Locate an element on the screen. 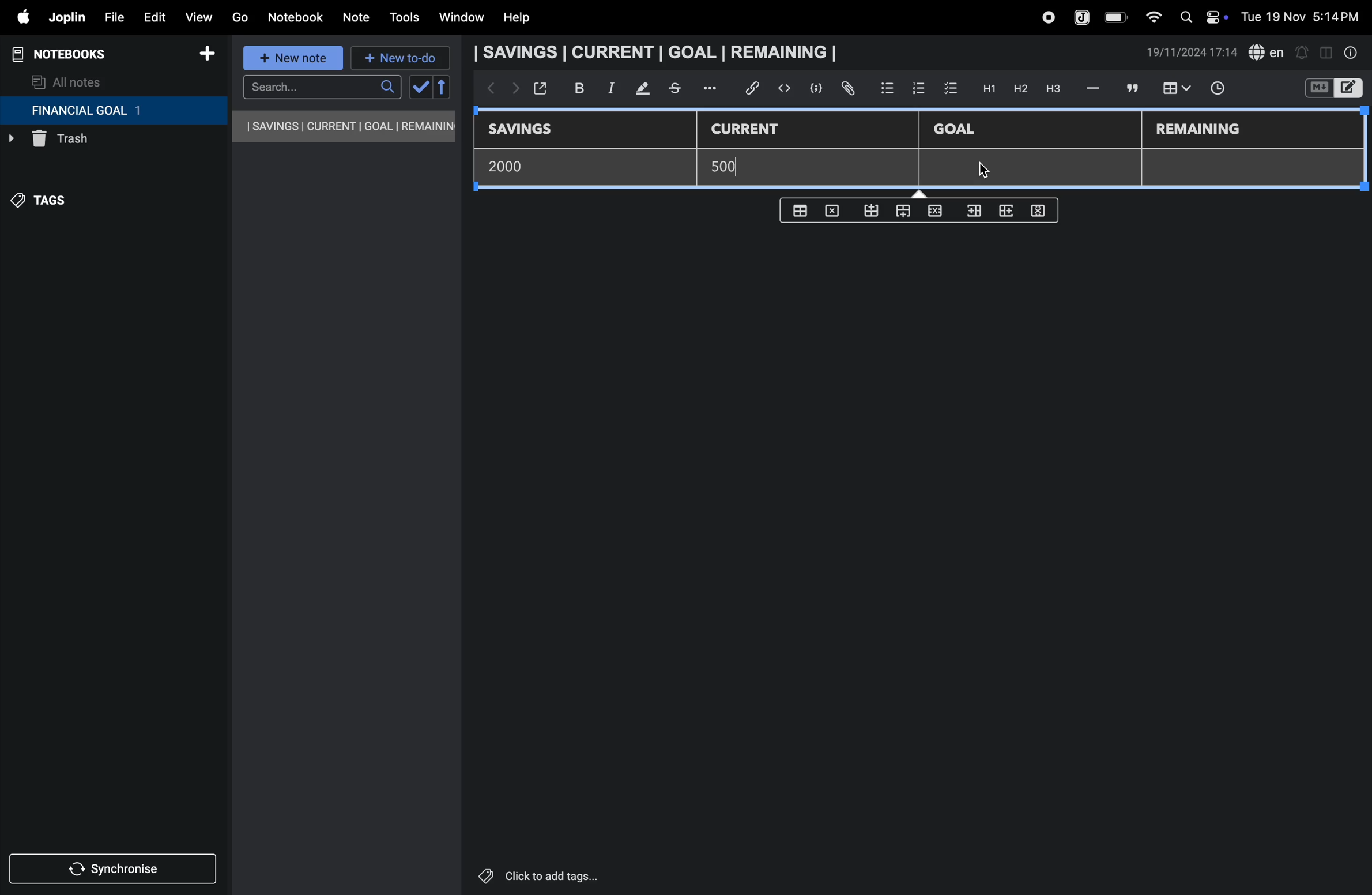  battery is located at coordinates (1117, 17).